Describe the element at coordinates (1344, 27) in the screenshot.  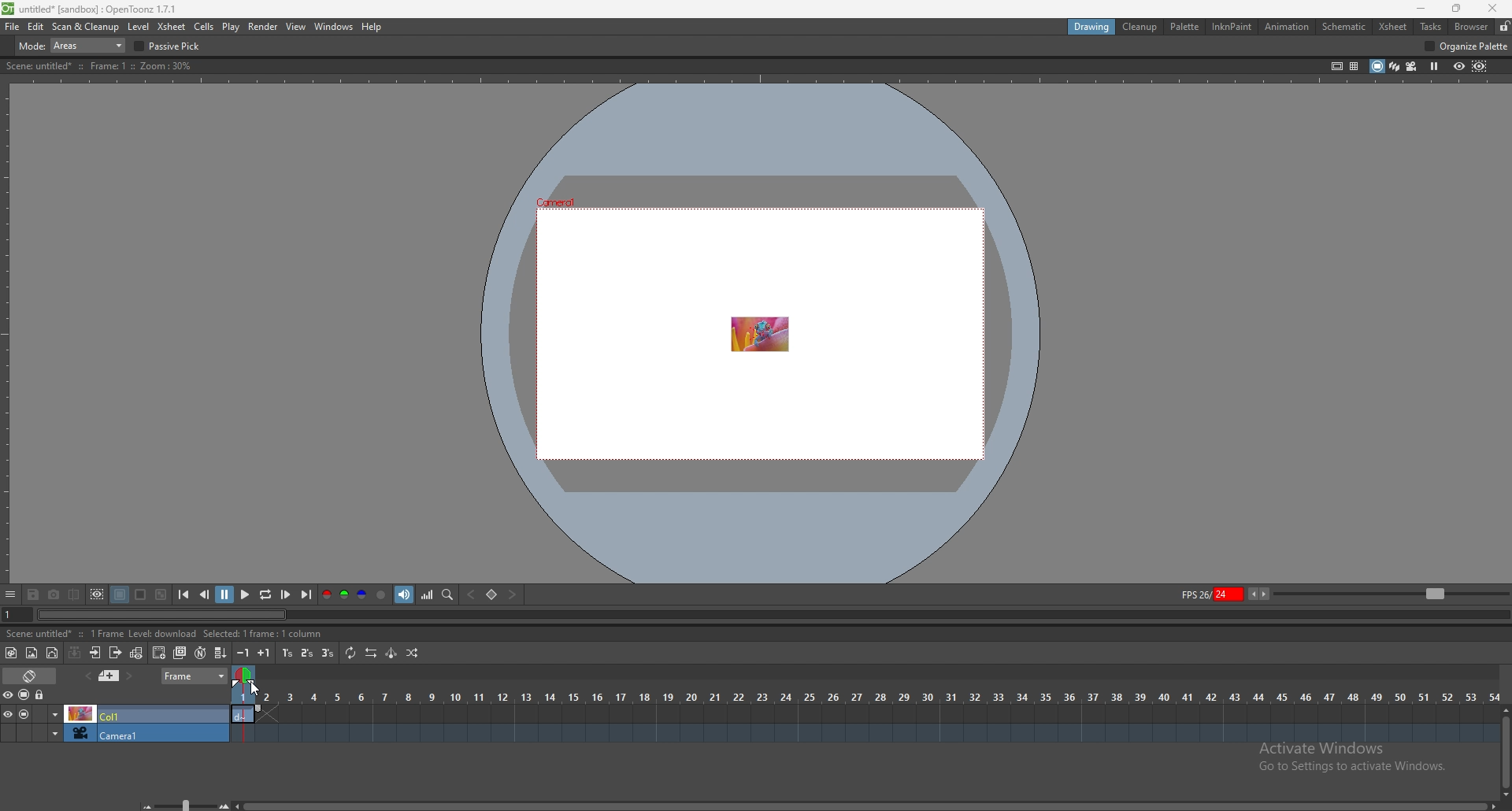
I see `schematic` at that location.